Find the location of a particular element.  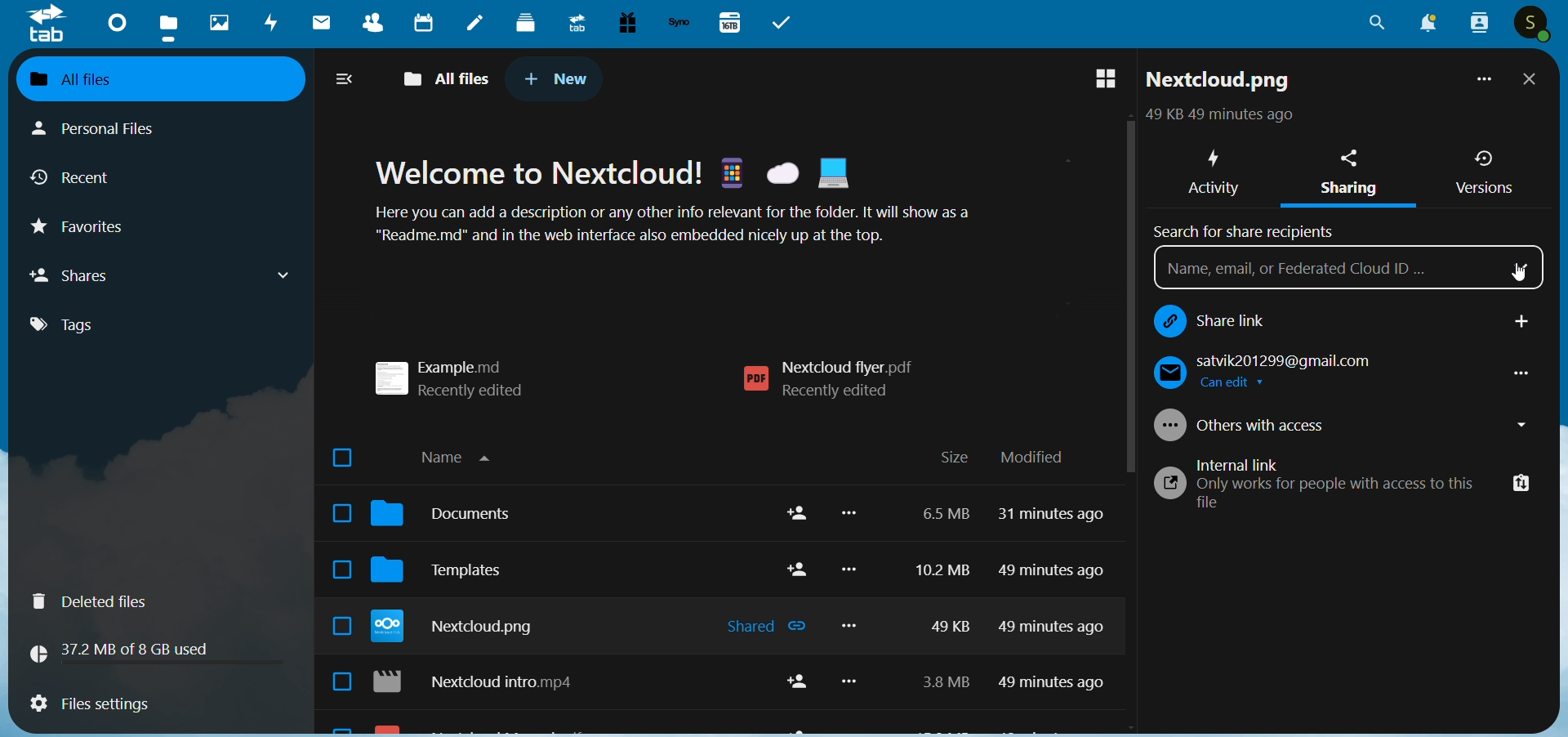

free trial is located at coordinates (624, 23).